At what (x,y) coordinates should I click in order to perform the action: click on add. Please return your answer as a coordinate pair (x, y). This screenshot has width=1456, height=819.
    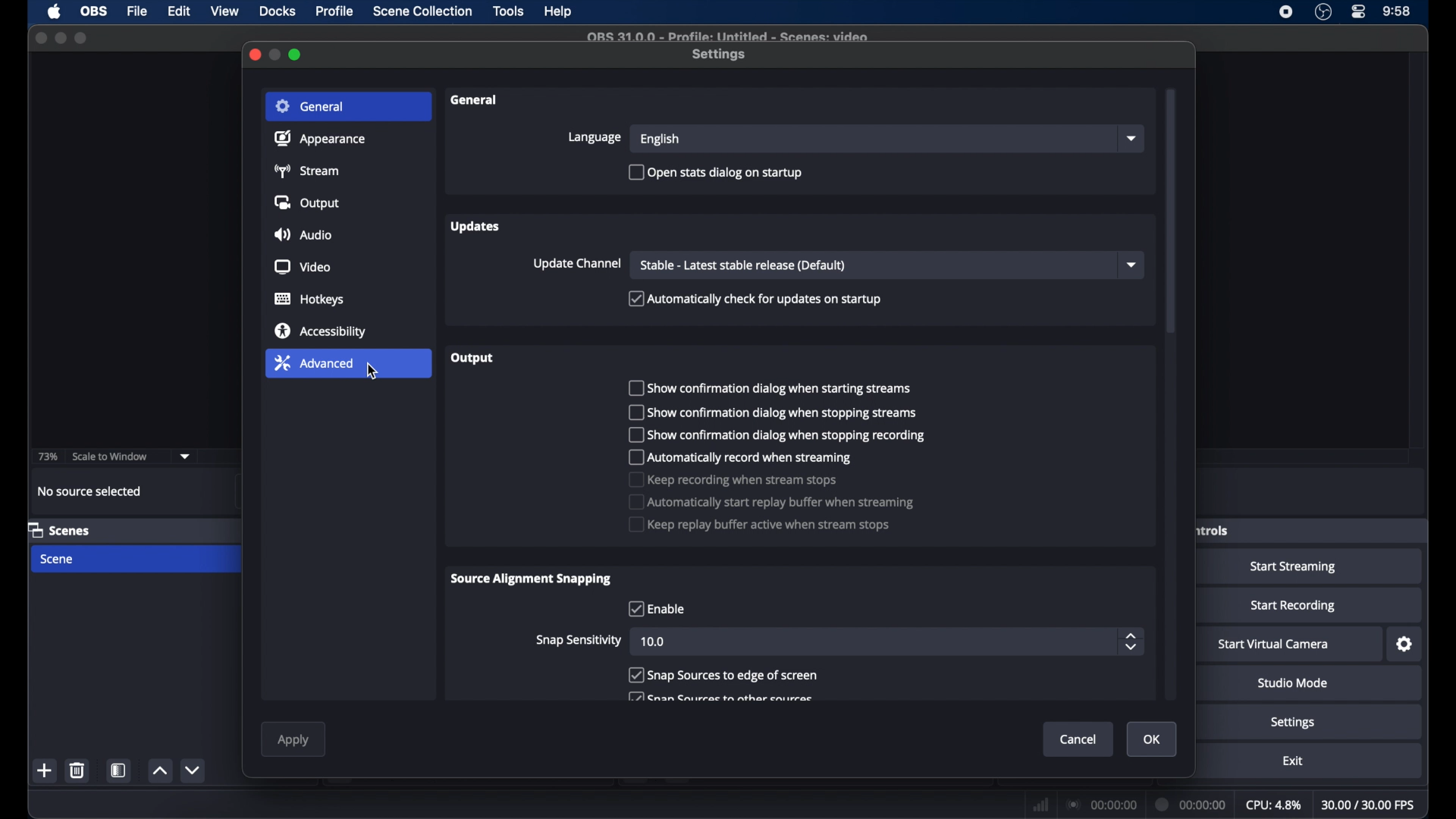
    Looking at the image, I should click on (45, 772).